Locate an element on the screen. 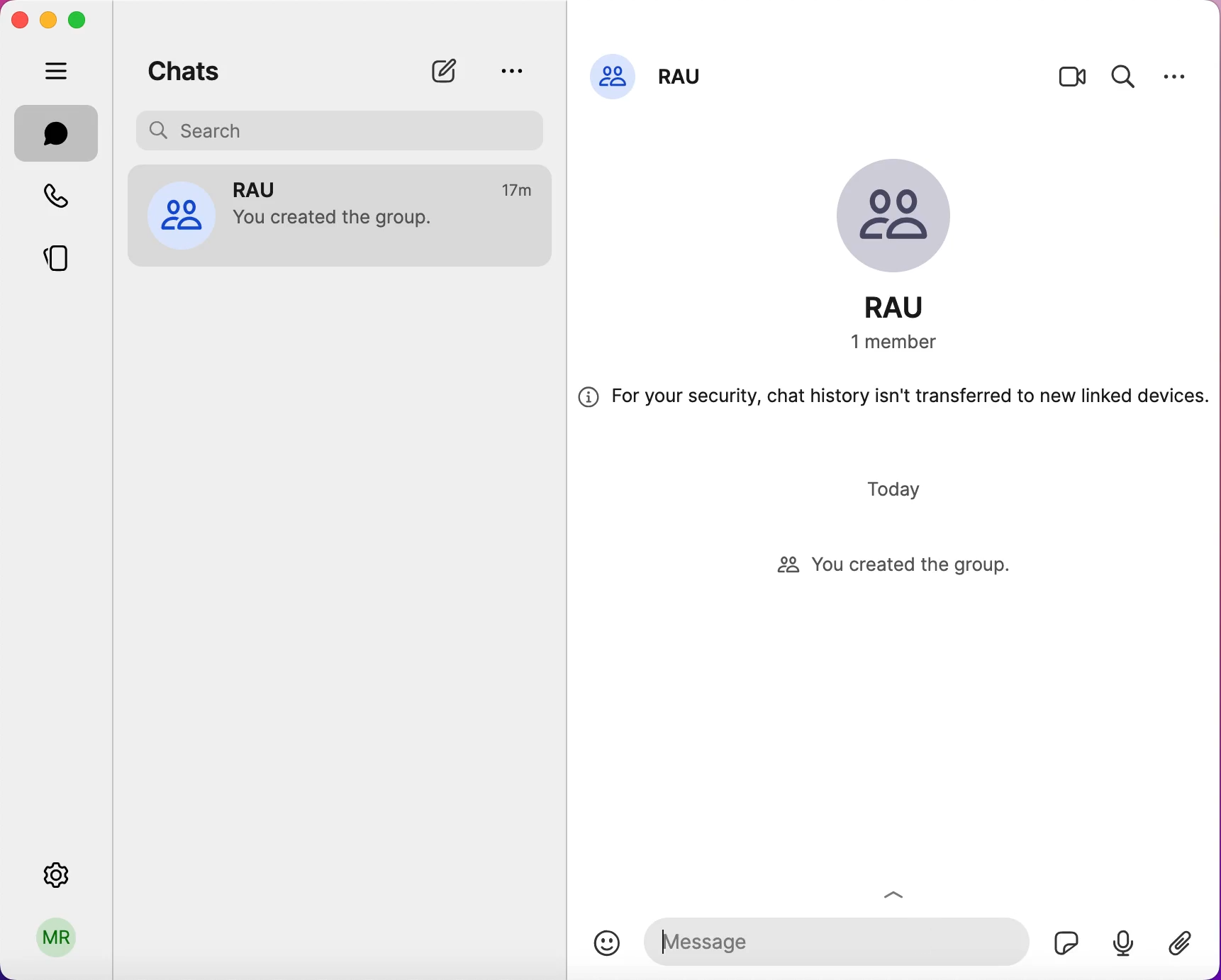 The width and height of the screenshot is (1221, 980). settings is located at coordinates (1175, 76).